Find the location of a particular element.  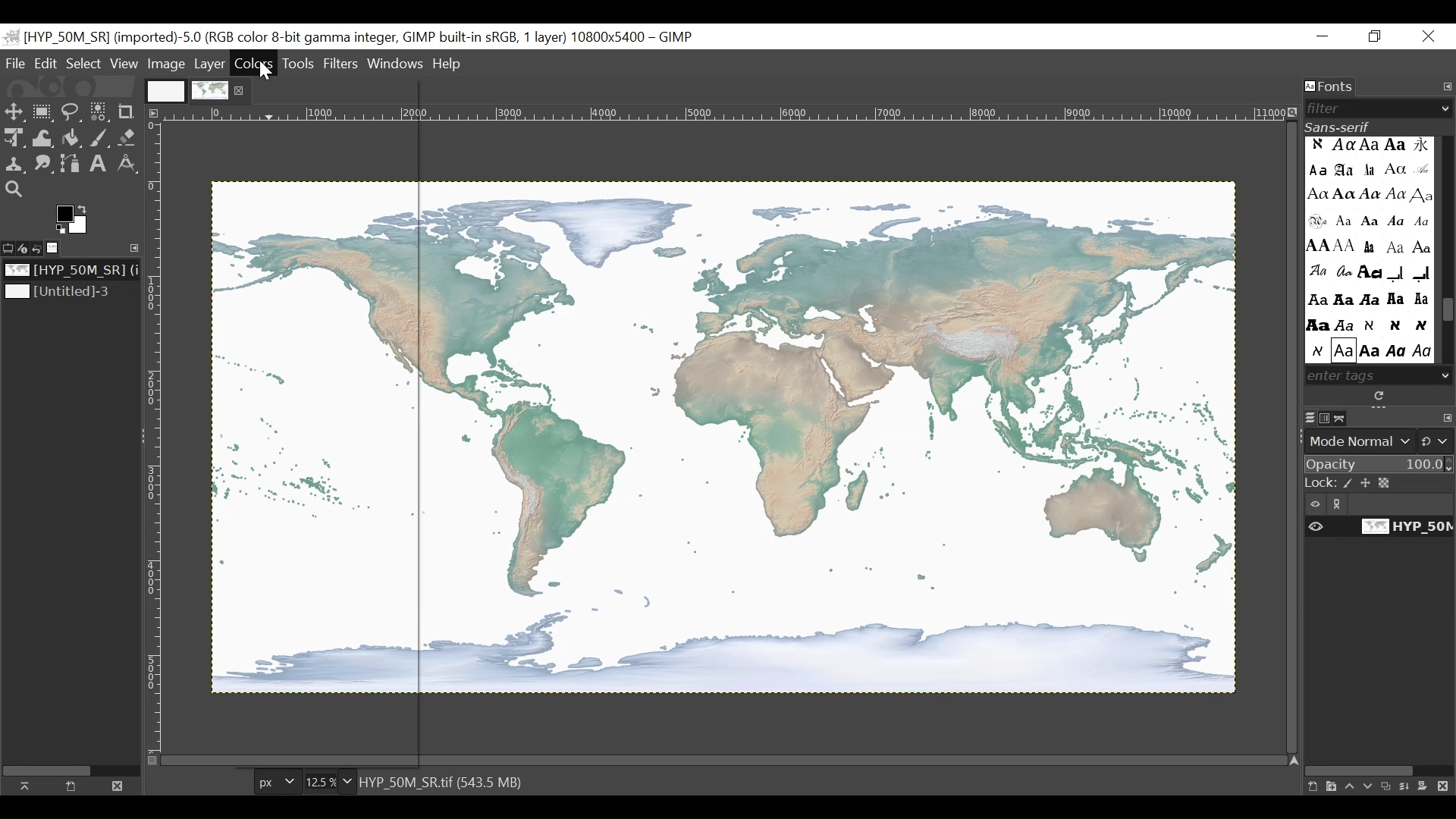

Image is located at coordinates (168, 64).